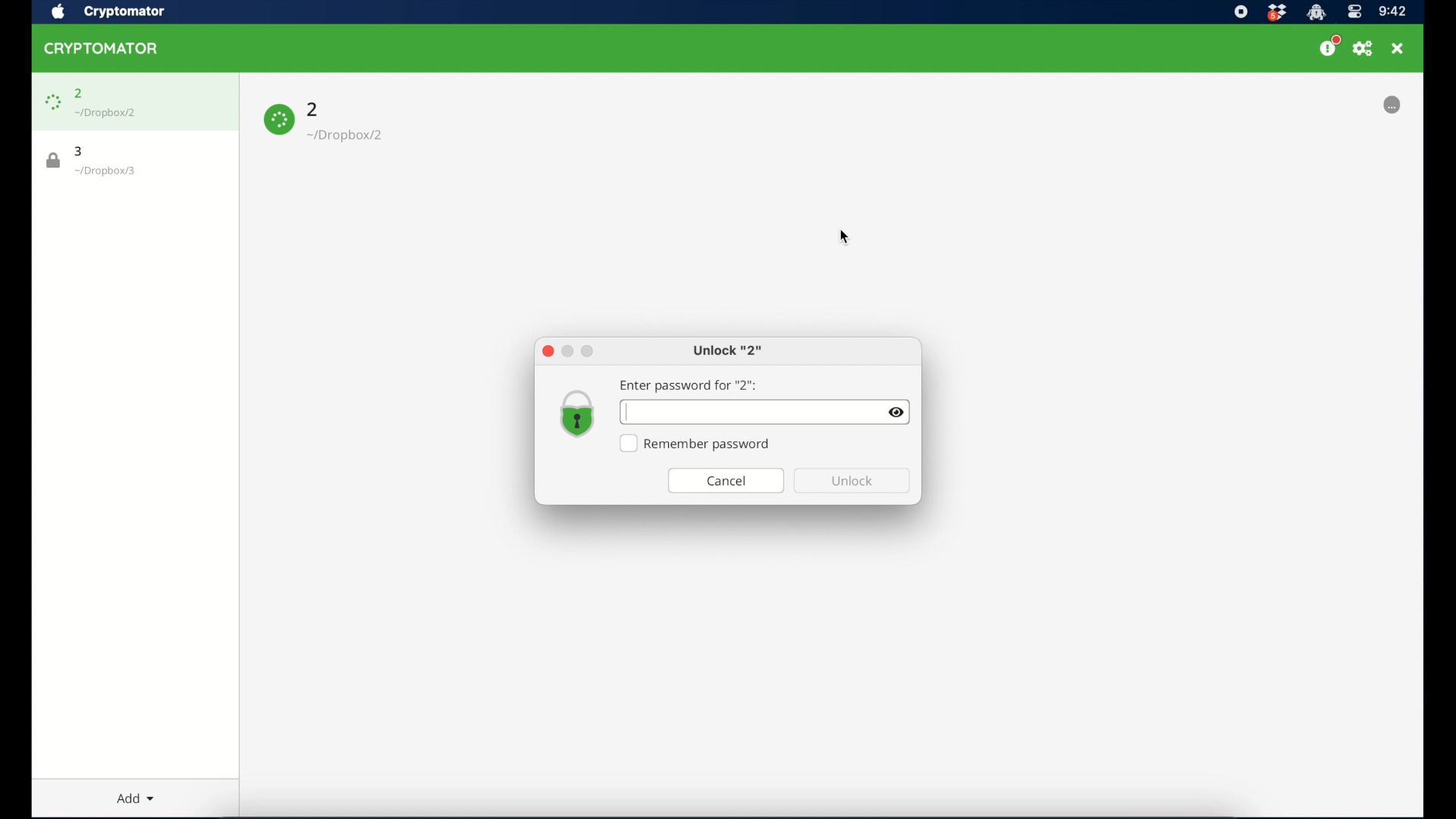  What do you see at coordinates (1329, 46) in the screenshot?
I see `support us` at bounding box center [1329, 46].